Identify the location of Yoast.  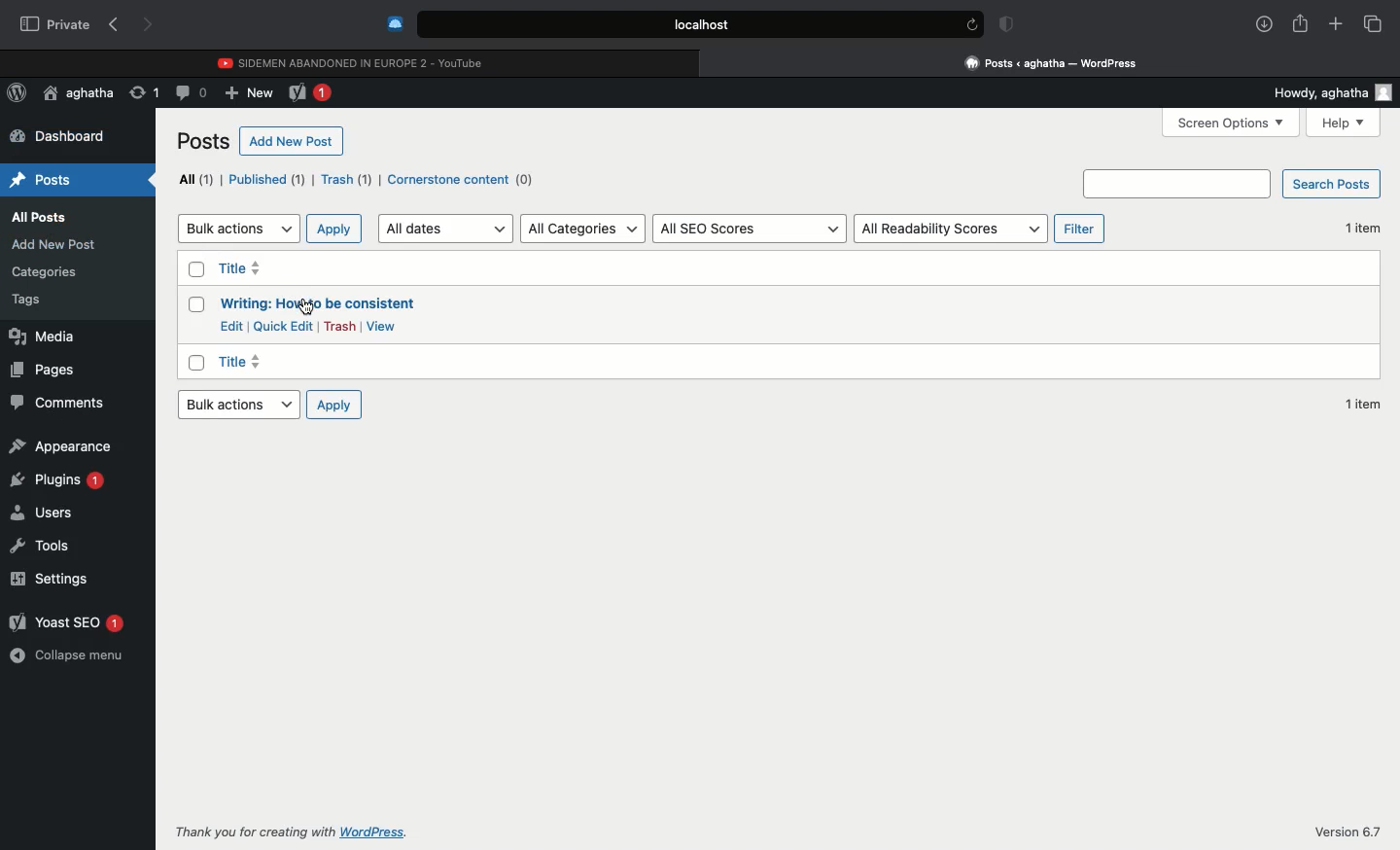
(313, 94).